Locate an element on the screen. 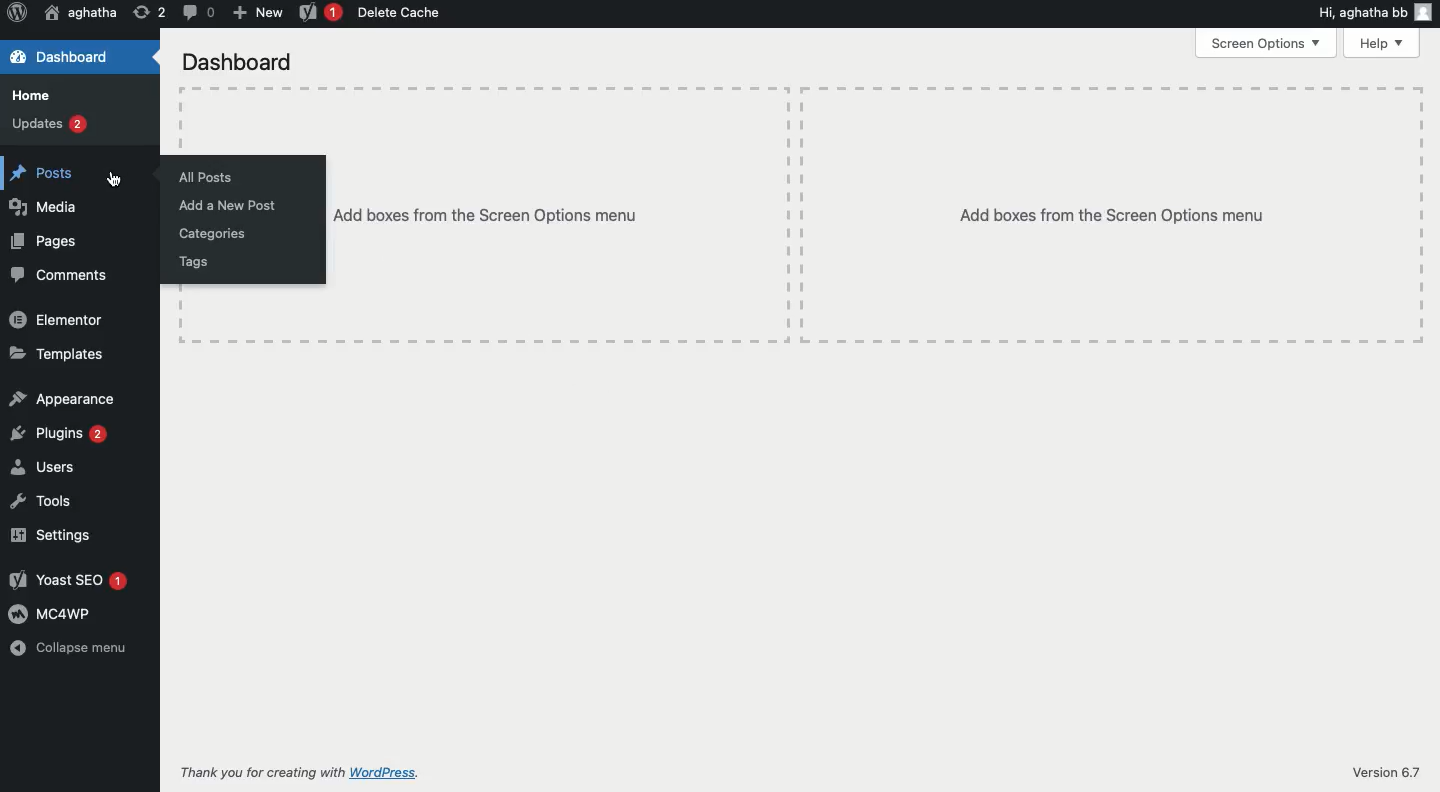  Table line is located at coordinates (182, 308).